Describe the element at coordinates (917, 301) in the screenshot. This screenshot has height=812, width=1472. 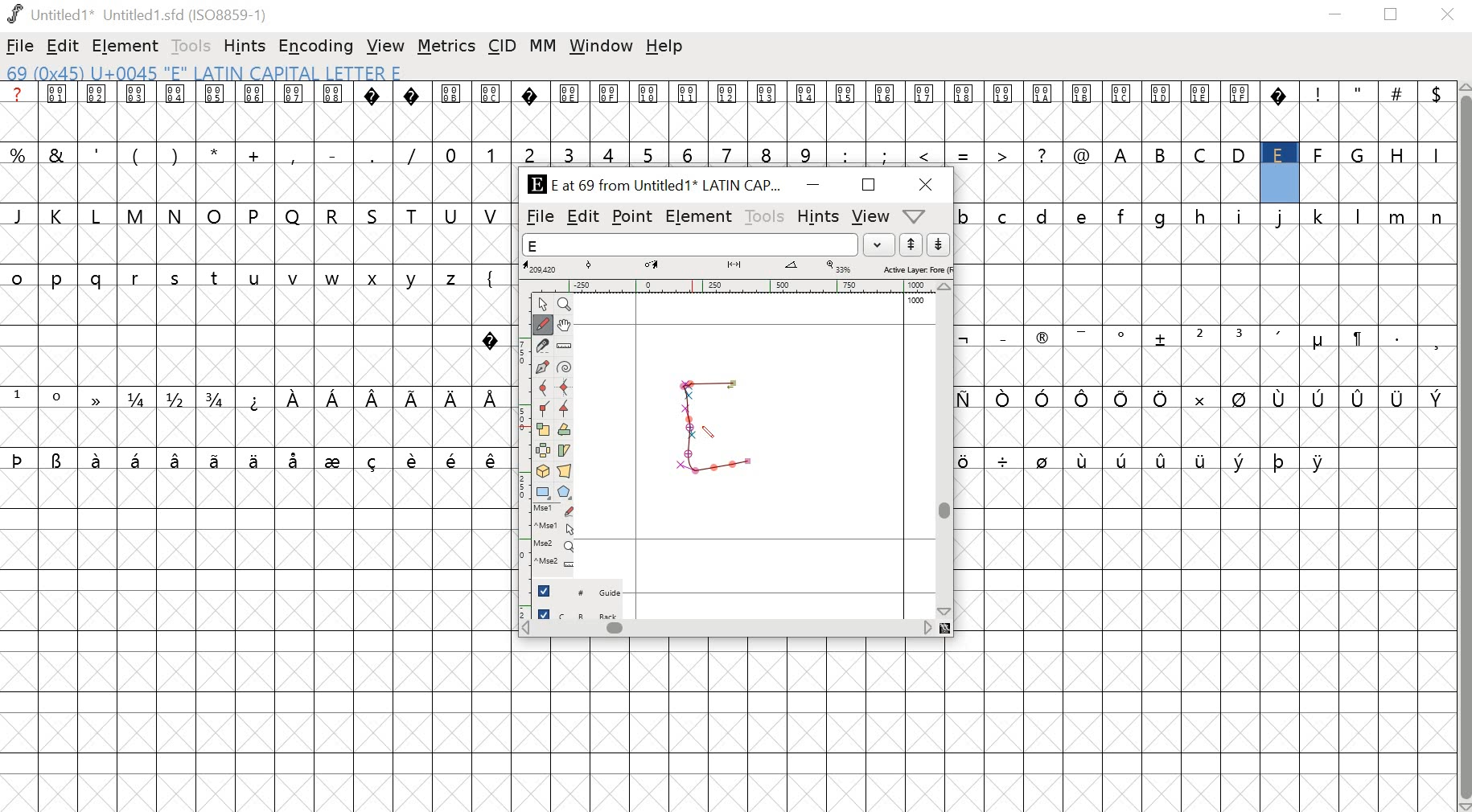
I see `1000` at that location.